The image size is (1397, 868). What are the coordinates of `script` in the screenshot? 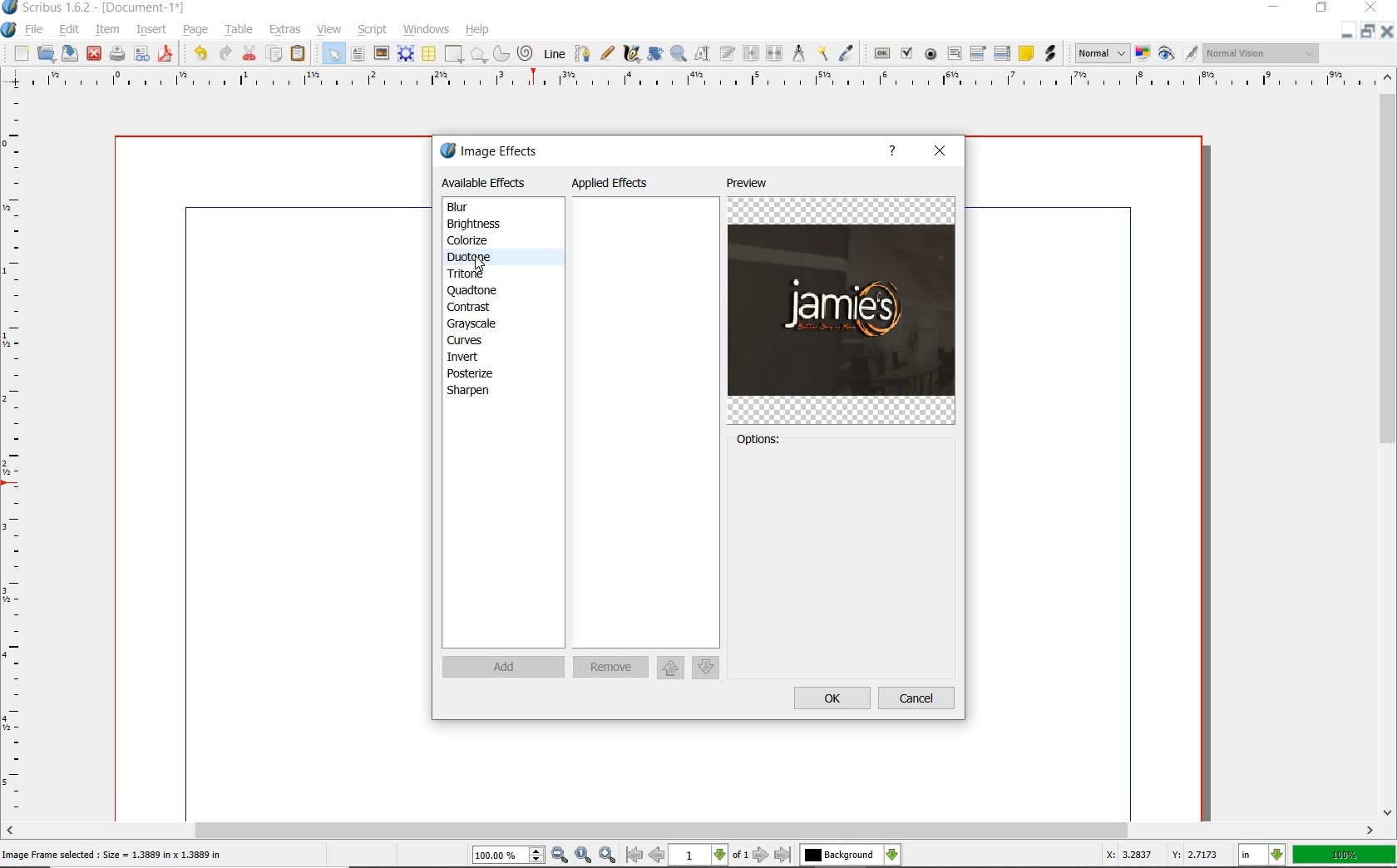 It's located at (372, 29).